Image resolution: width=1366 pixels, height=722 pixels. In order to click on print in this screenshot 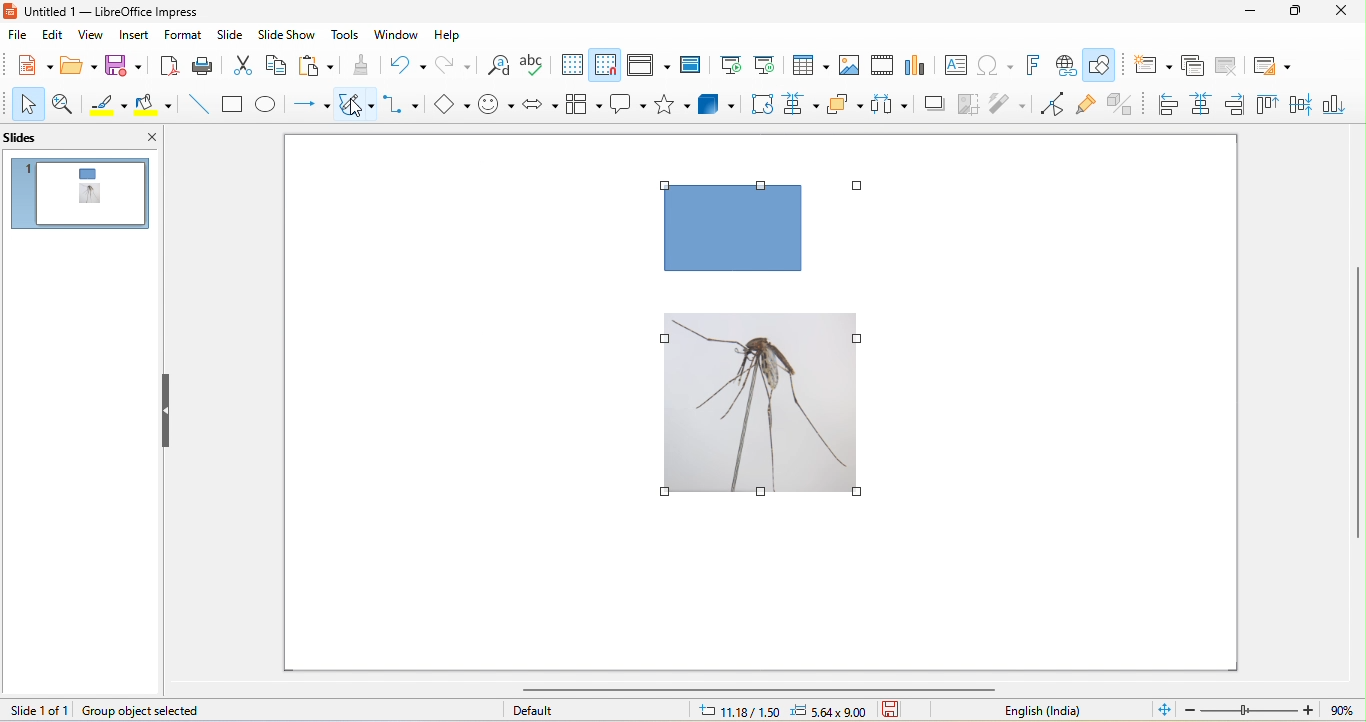, I will do `click(204, 66)`.